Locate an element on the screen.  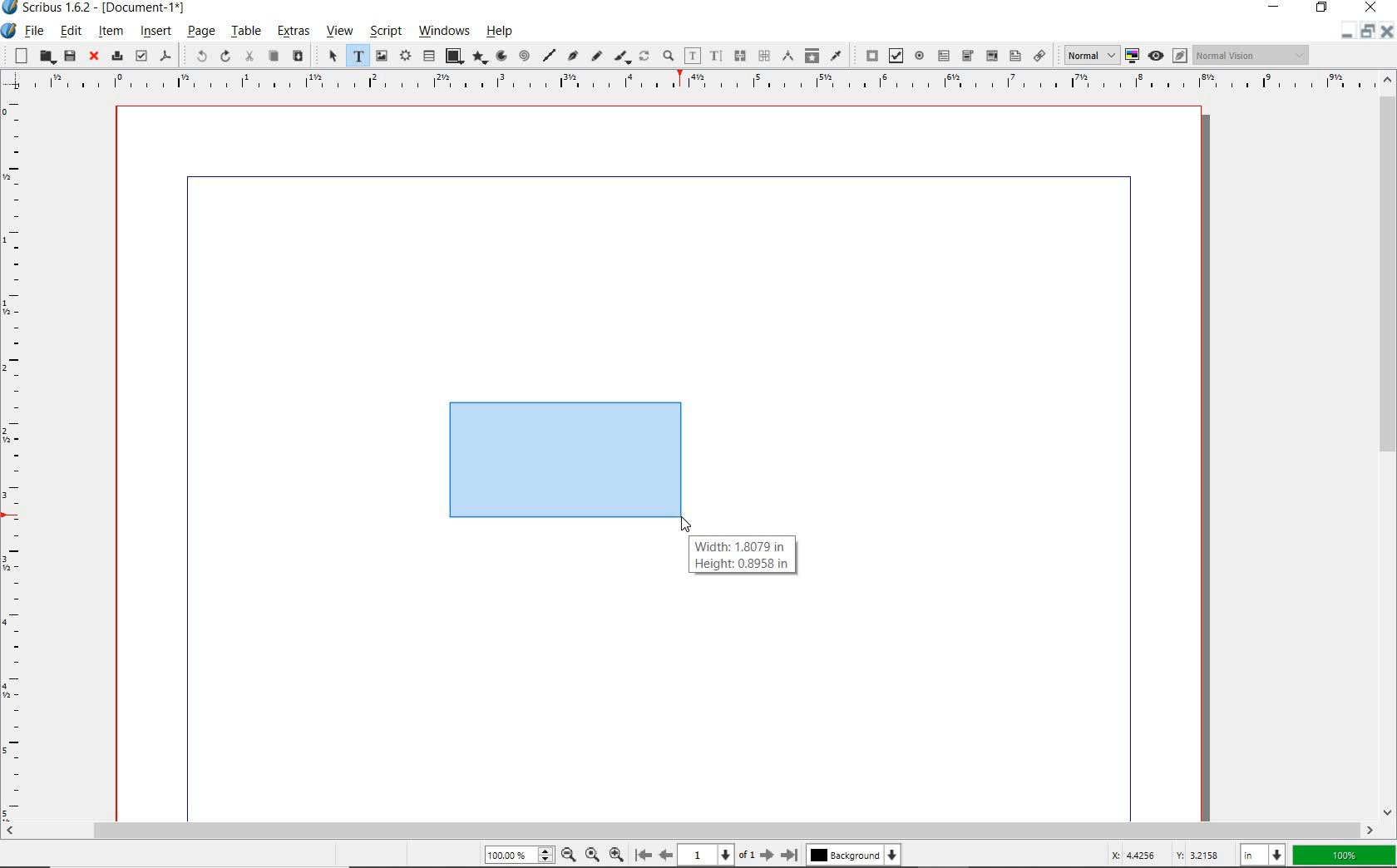
save is located at coordinates (68, 56).